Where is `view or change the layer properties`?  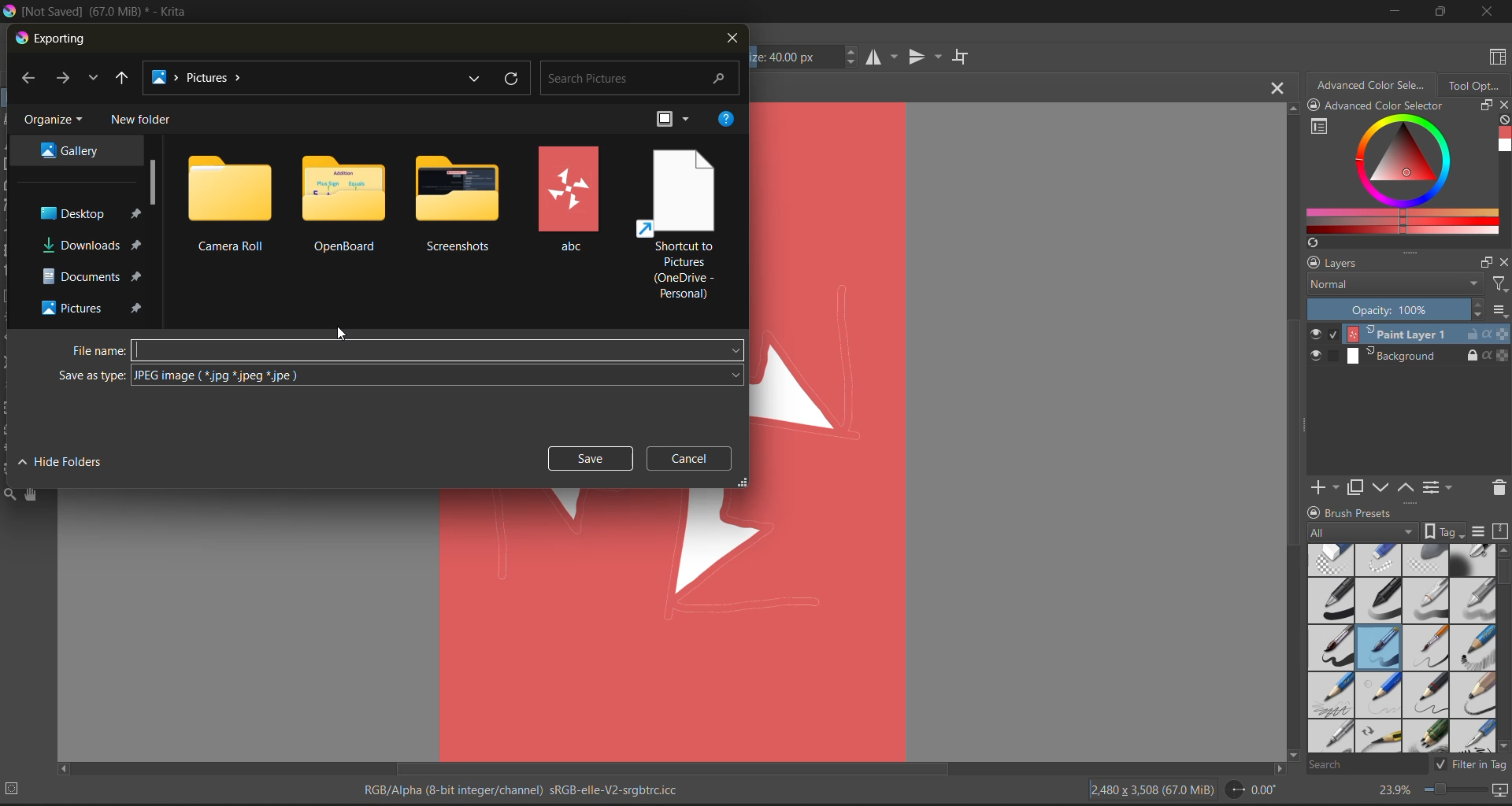
view or change the layer properties is located at coordinates (1439, 486).